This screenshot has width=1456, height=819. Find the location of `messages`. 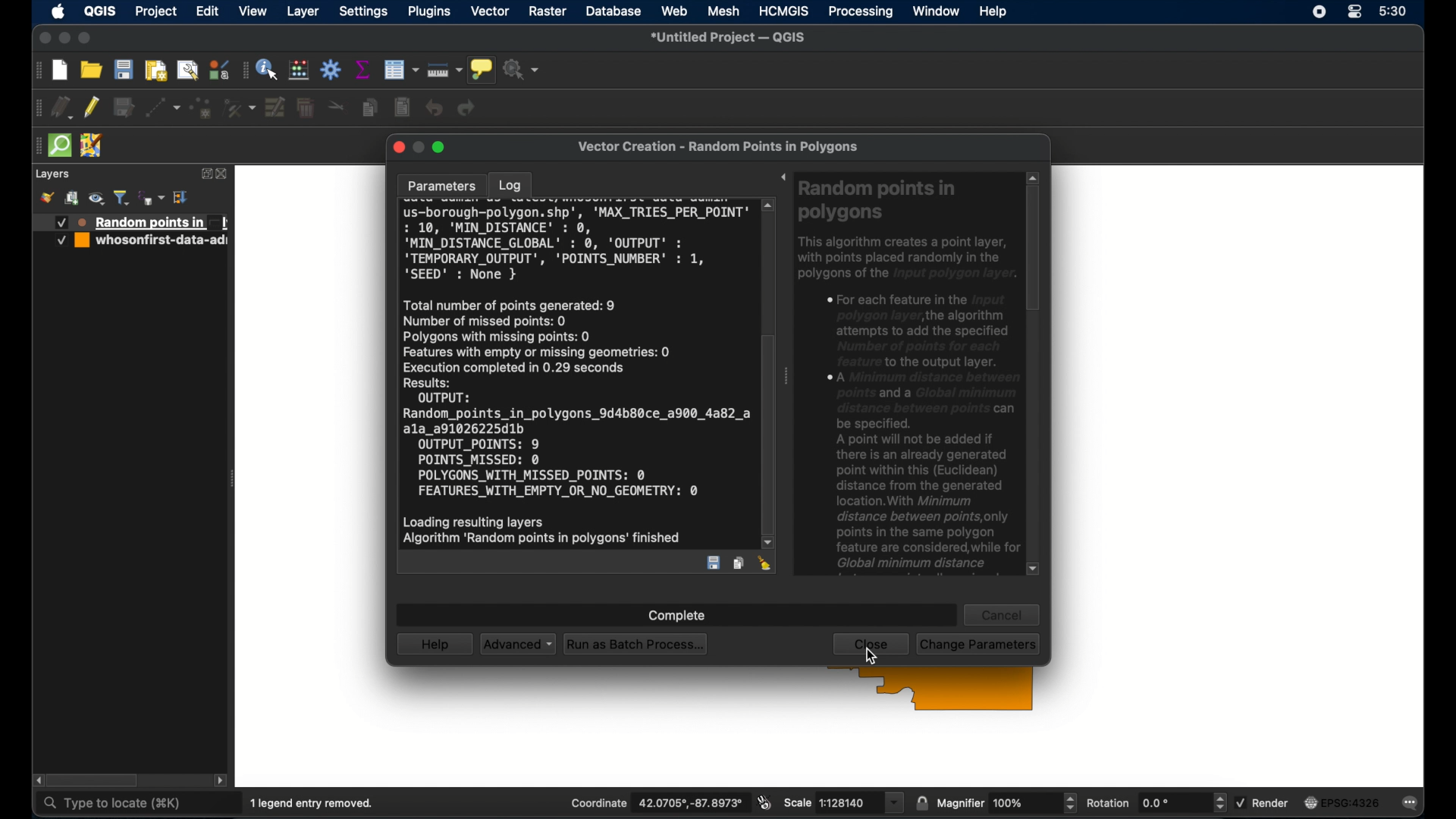

messages is located at coordinates (1412, 804).